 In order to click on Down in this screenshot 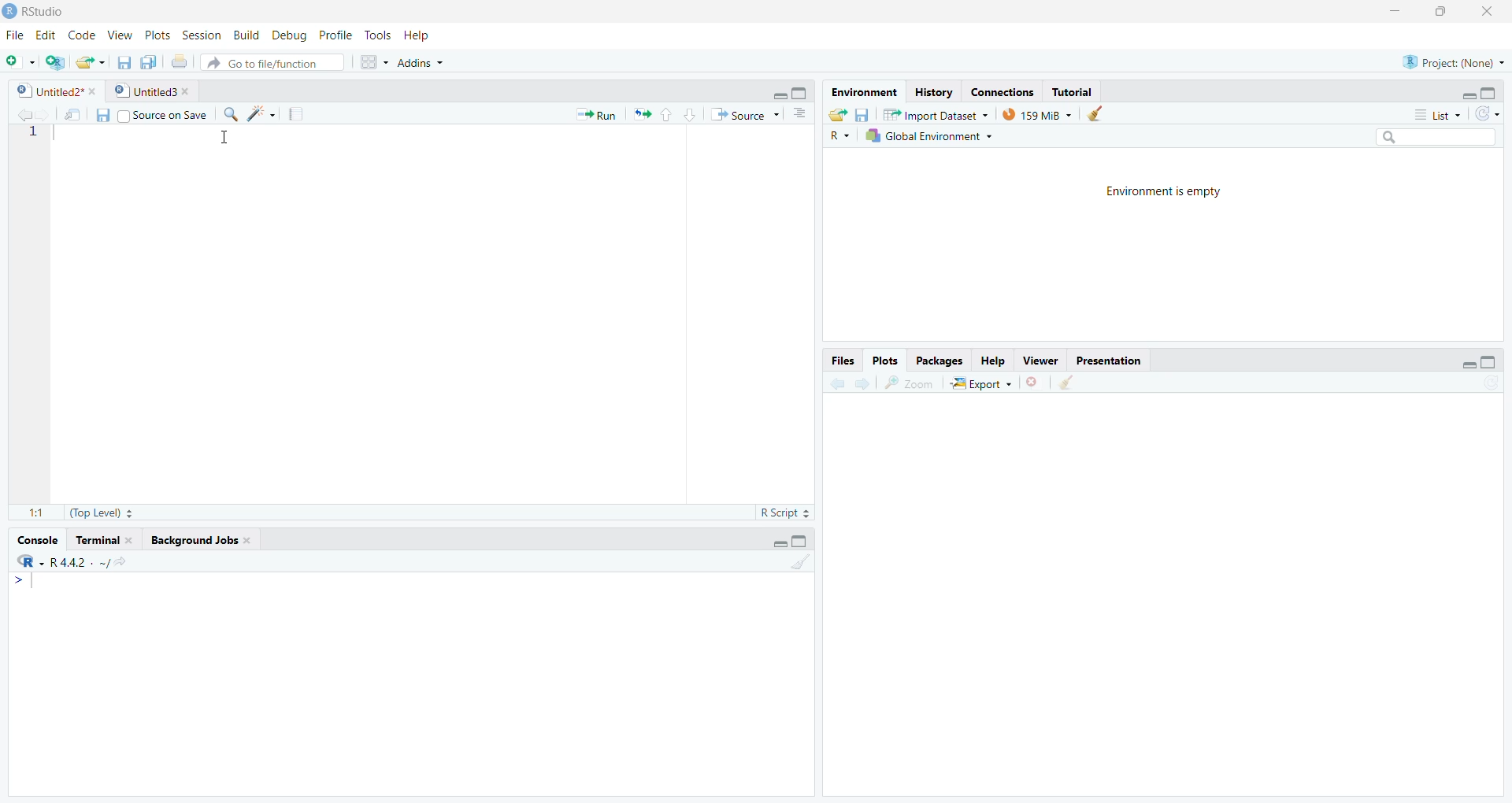, I will do `click(690, 113)`.